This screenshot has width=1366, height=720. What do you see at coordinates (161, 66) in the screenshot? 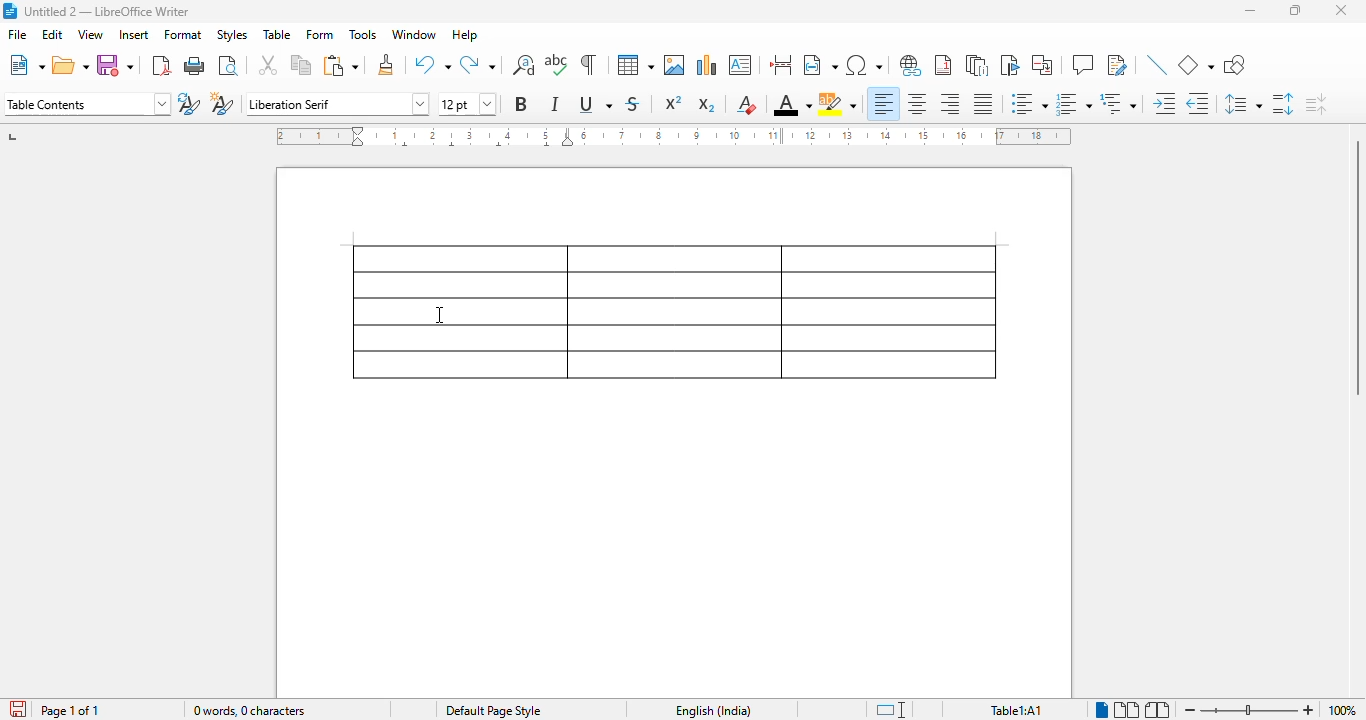
I see `export directly as PDF` at bounding box center [161, 66].